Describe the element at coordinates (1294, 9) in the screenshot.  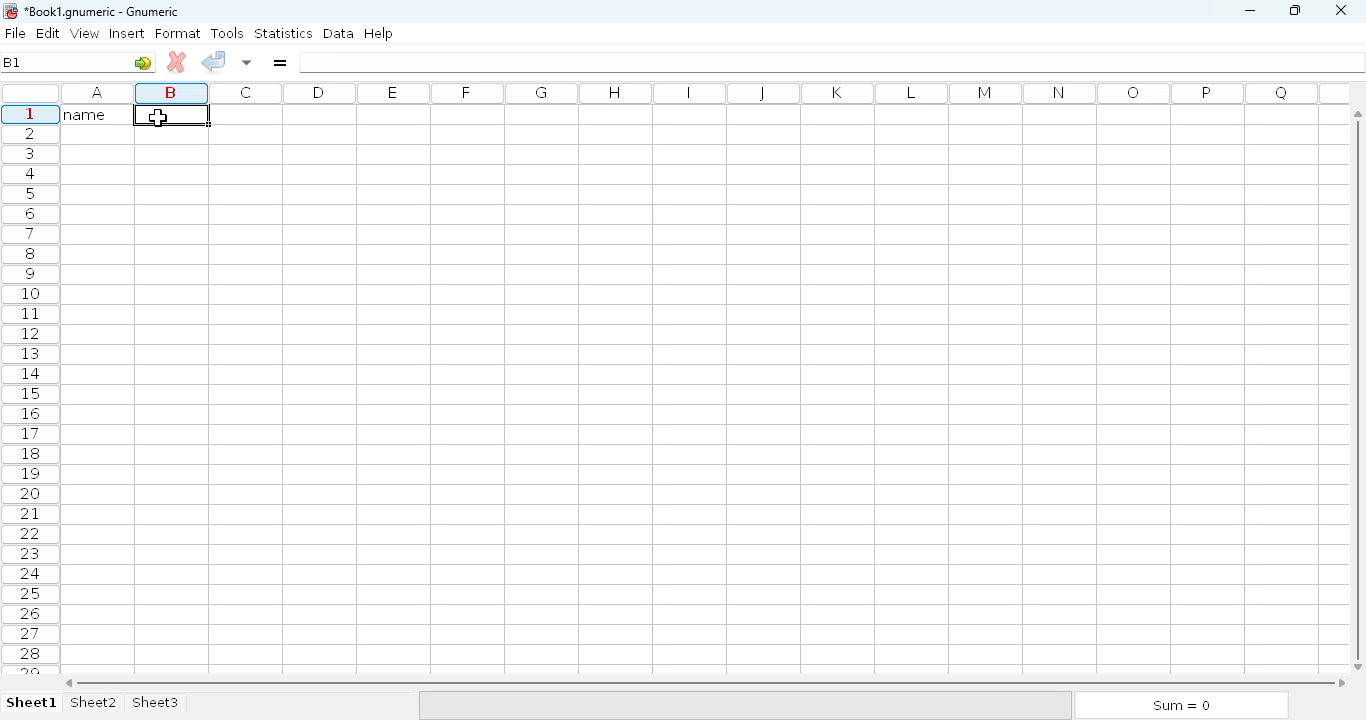
I see `maximize` at that location.